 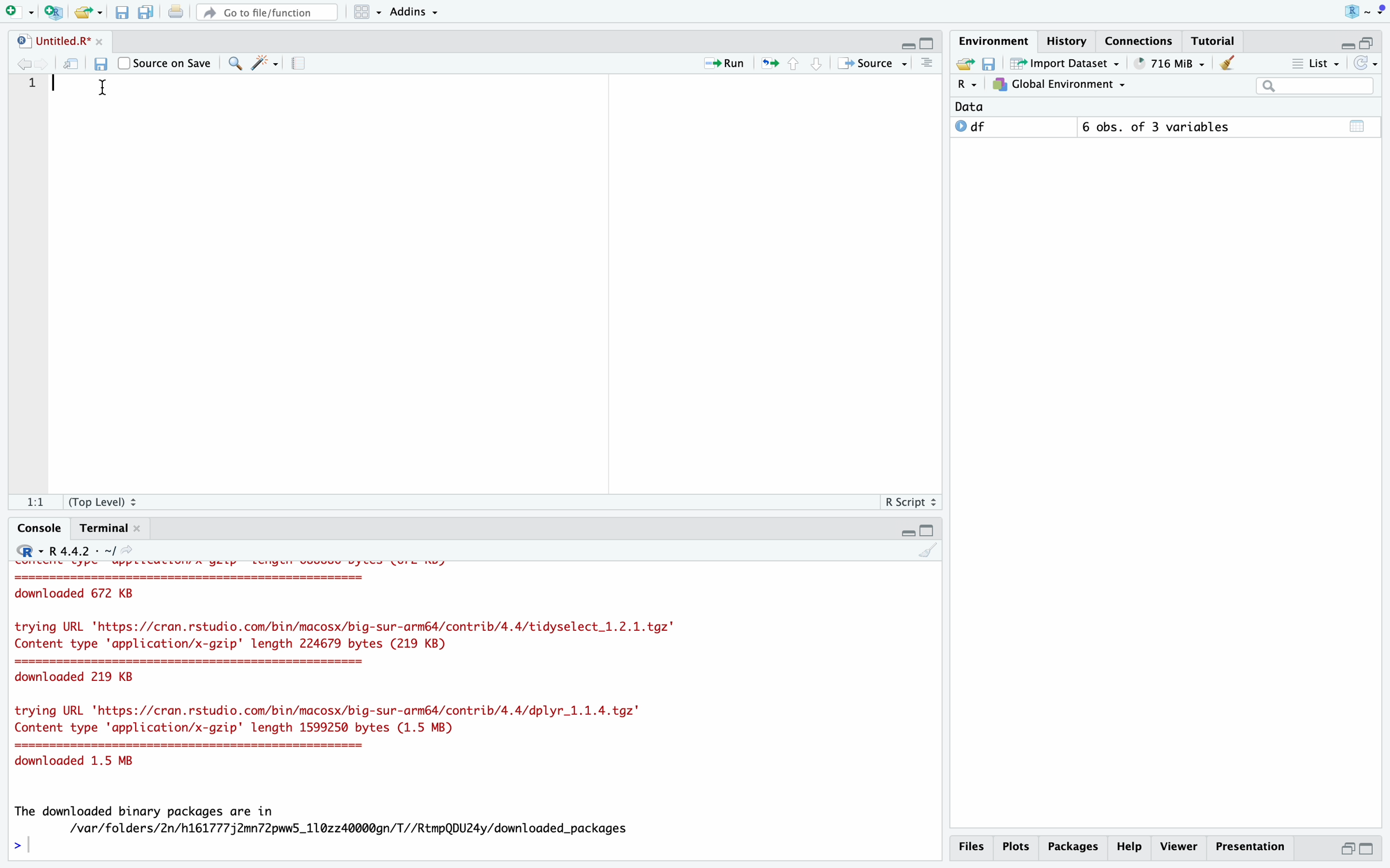 What do you see at coordinates (1250, 847) in the screenshot?
I see `Presentation` at bounding box center [1250, 847].